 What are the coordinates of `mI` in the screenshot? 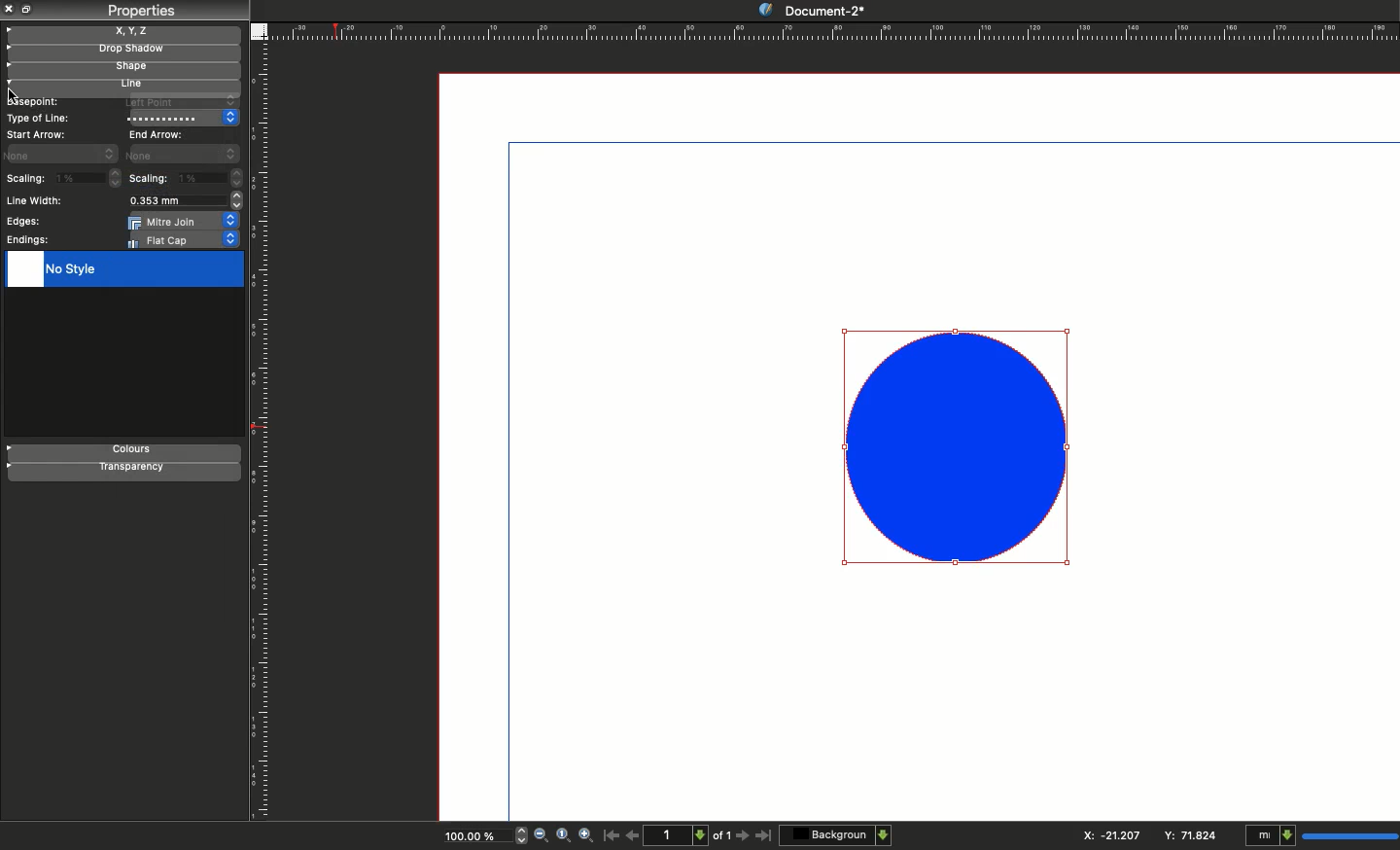 It's located at (1318, 836).